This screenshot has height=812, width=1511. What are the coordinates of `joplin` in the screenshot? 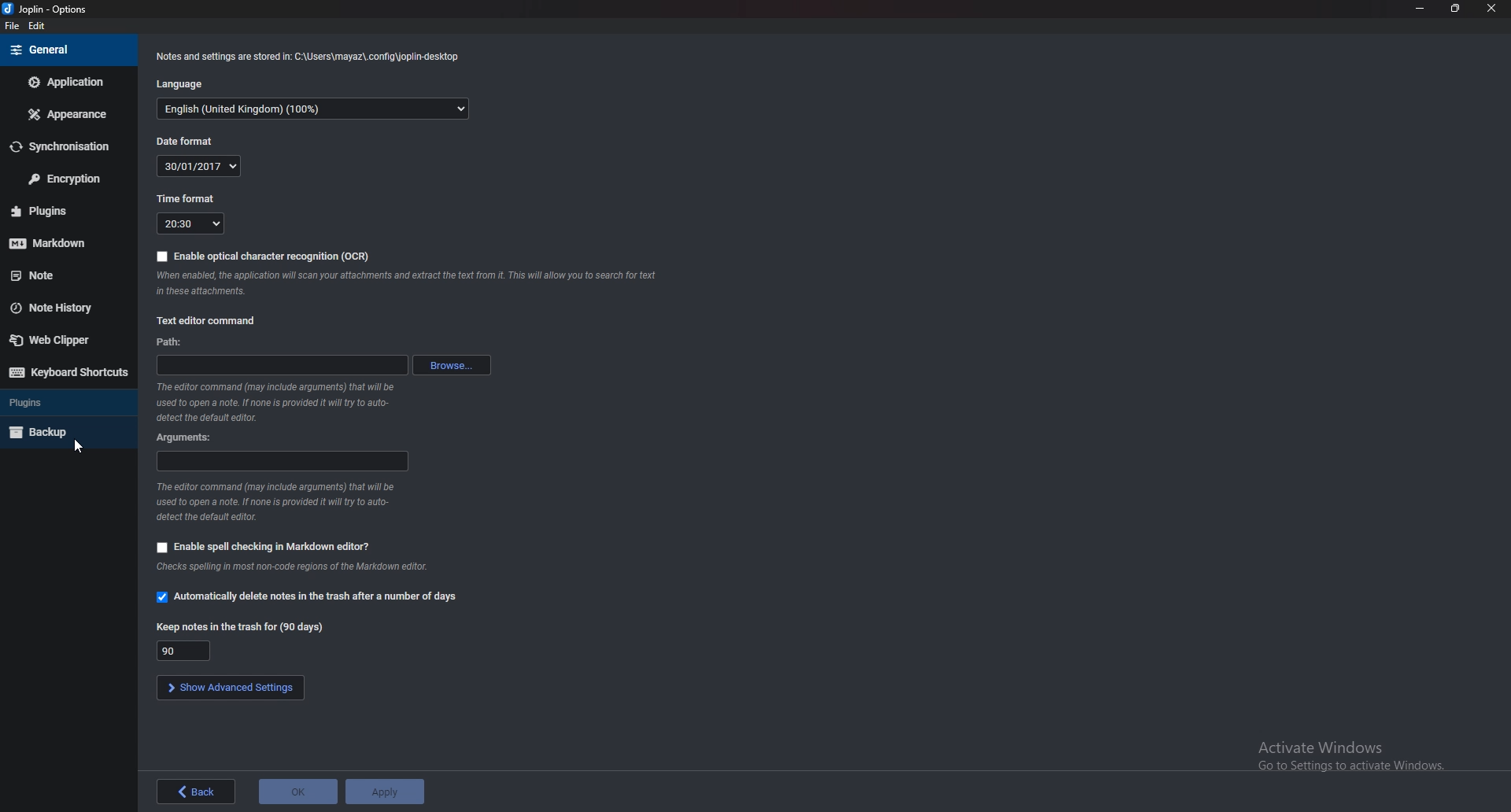 It's located at (28, 10).